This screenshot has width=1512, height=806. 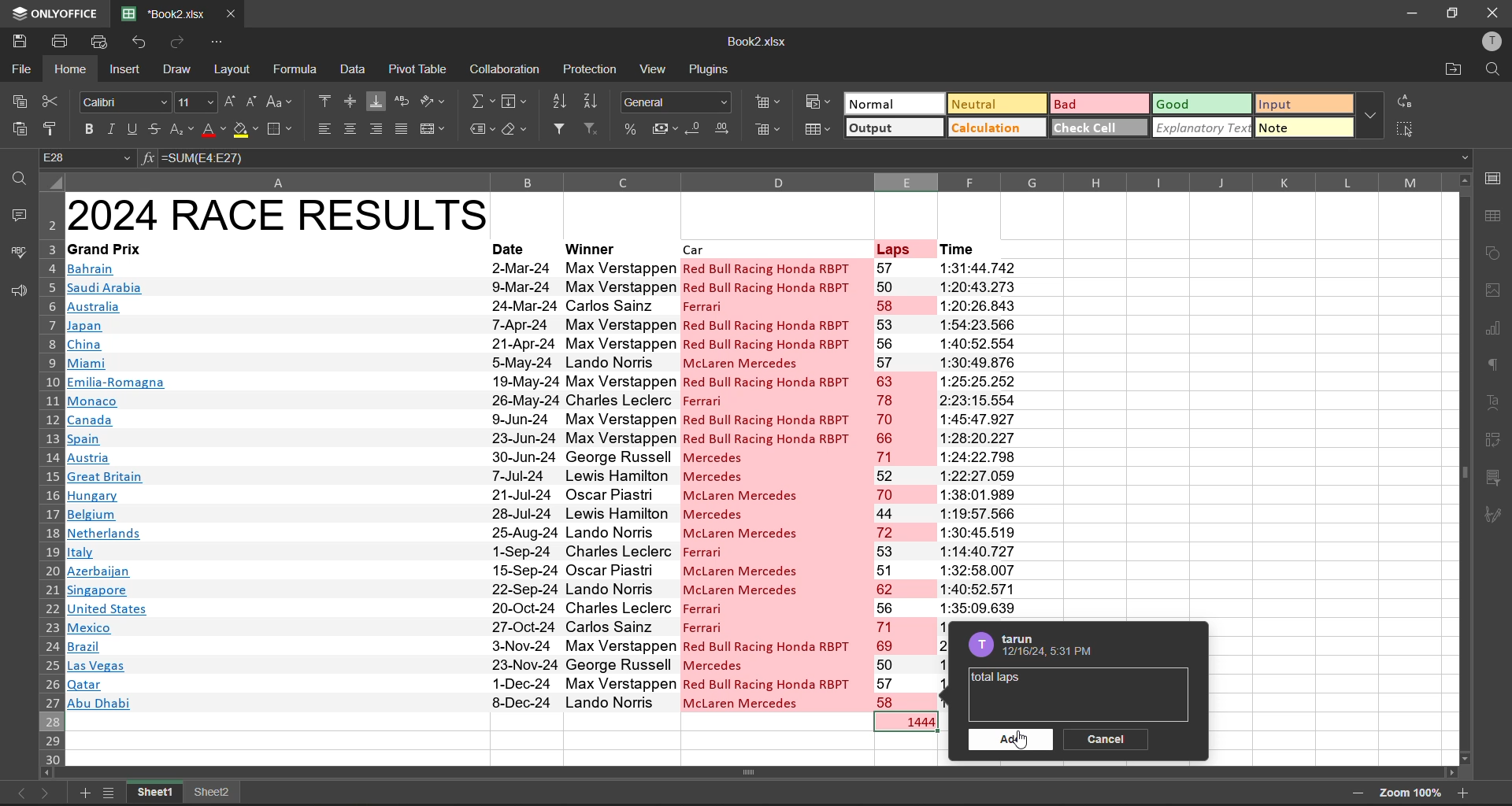 What do you see at coordinates (18, 216) in the screenshot?
I see `comments` at bounding box center [18, 216].